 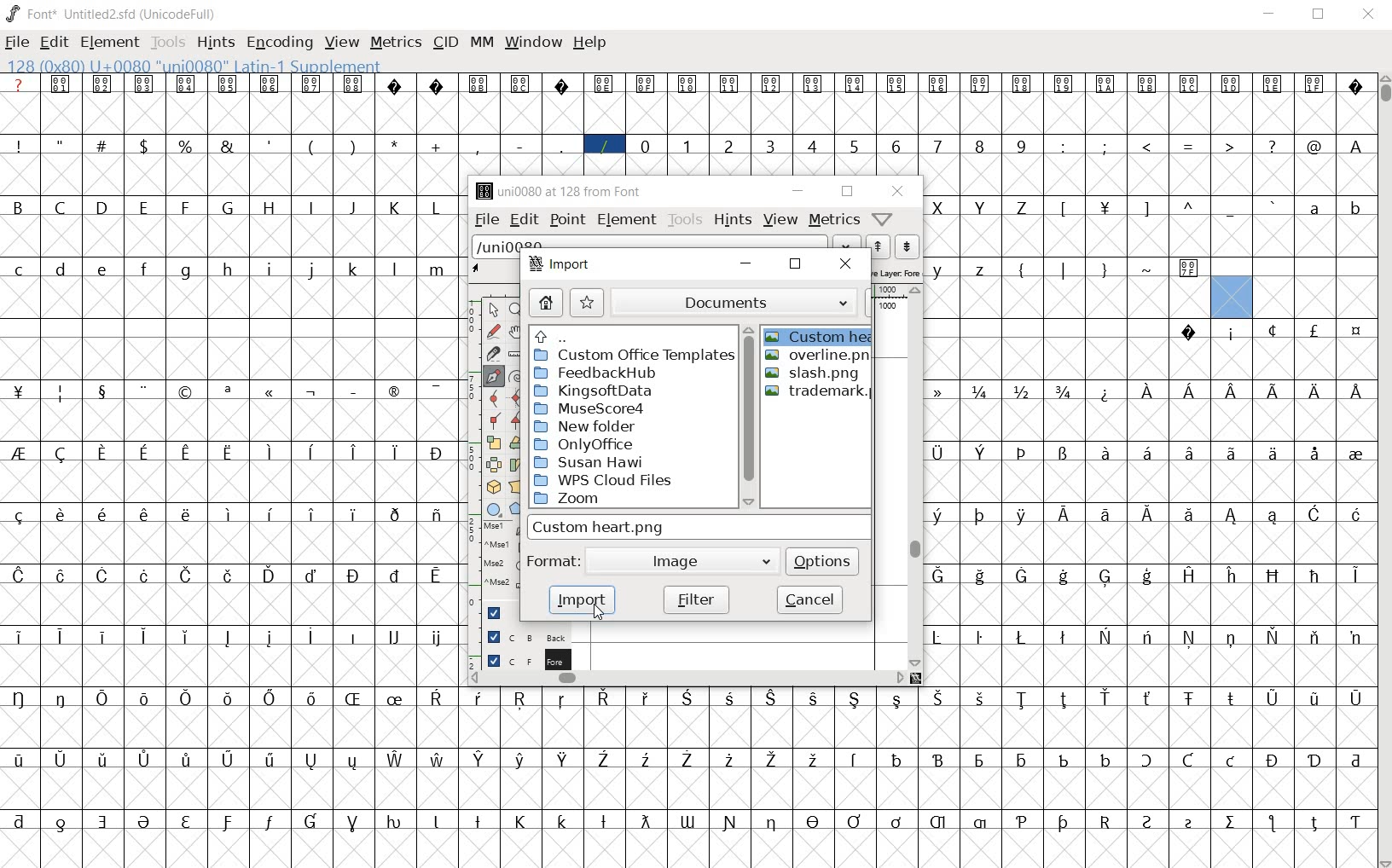 What do you see at coordinates (1314, 83) in the screenshot?
I see `glyph` at bounding box center [1314, 83].